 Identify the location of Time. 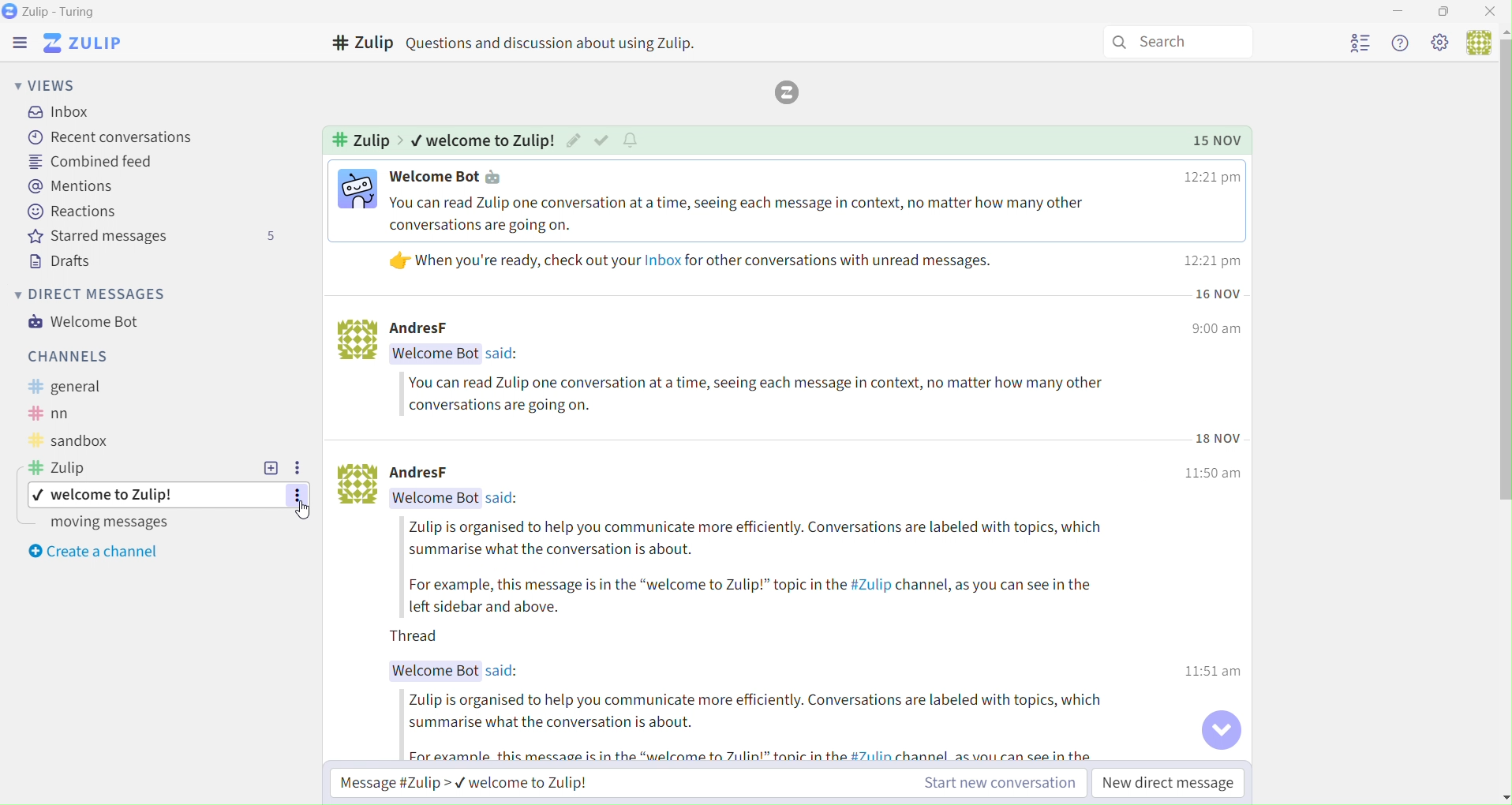
(1218, 140).